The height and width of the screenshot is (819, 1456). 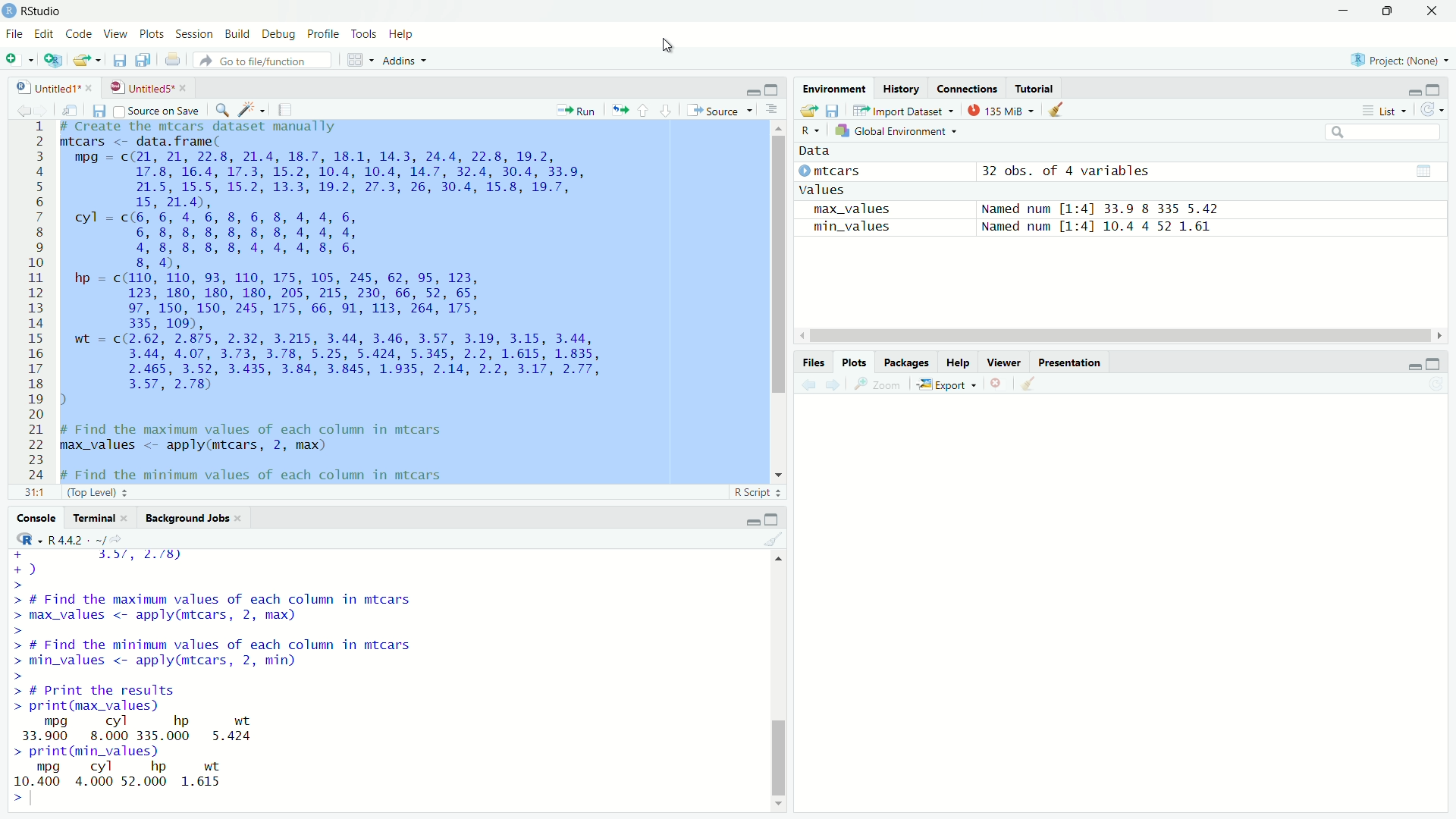 What do you see at coordinates (237, 34) in the screenshot?
I see `Build` at bounding box center [237, 34].